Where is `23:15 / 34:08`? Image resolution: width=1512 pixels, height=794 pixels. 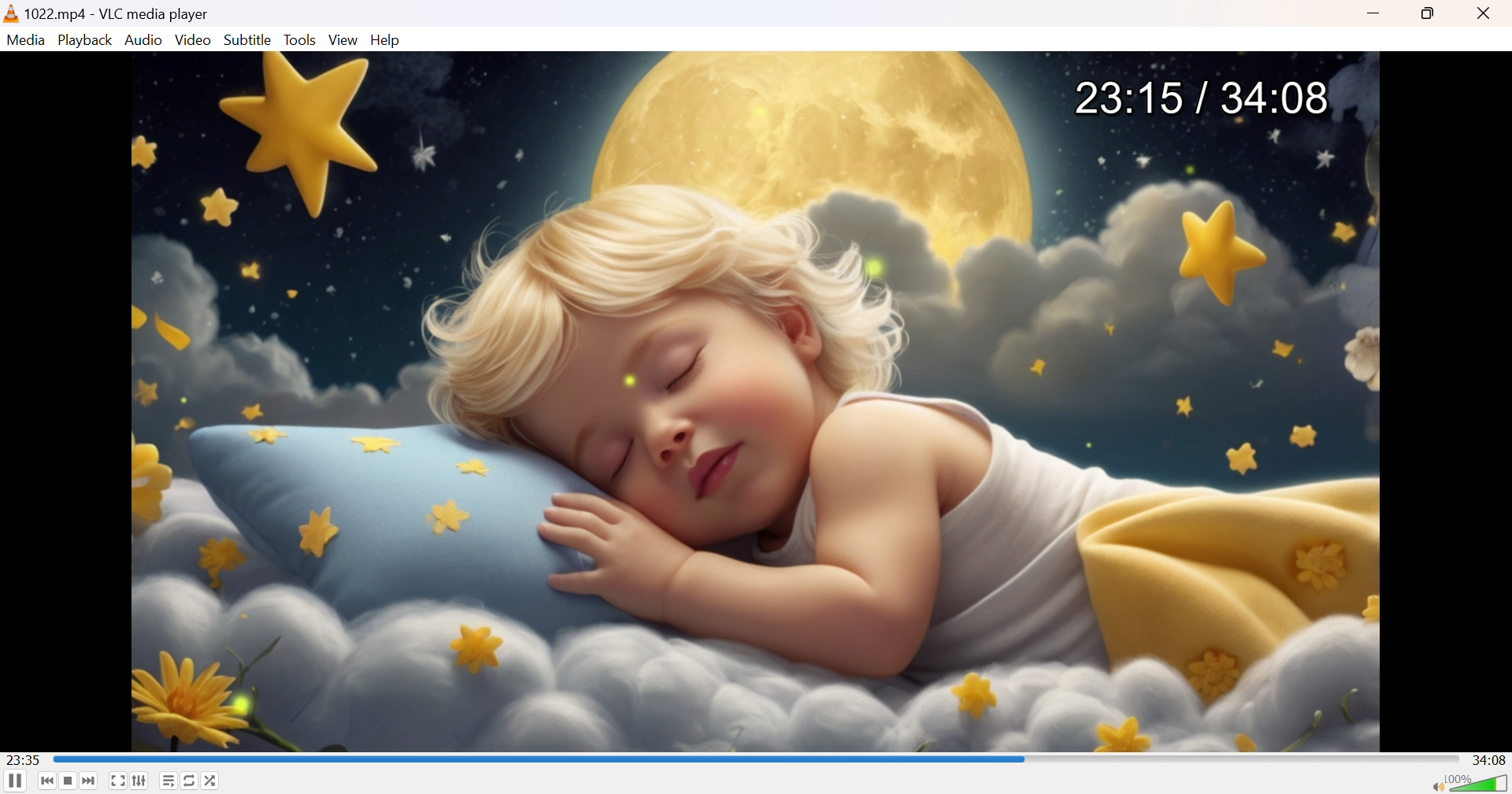 23:15 / 34:08 is located at coordinates (1207, 97).